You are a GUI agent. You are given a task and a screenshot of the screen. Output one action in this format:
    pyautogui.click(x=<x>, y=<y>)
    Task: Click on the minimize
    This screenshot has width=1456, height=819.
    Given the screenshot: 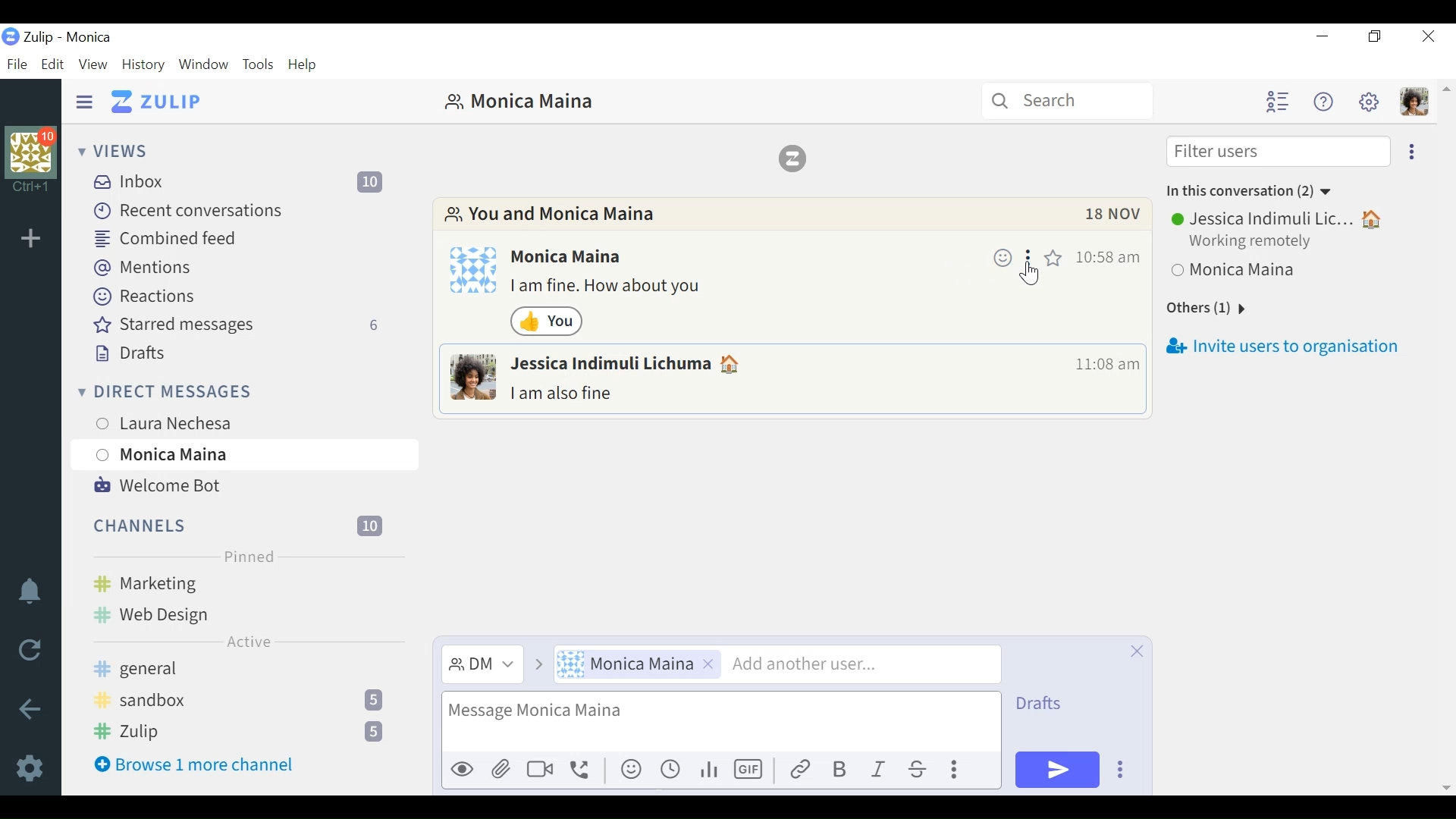 What is the action you would take?
    pyautogui.click(x=1325, y=37)
    